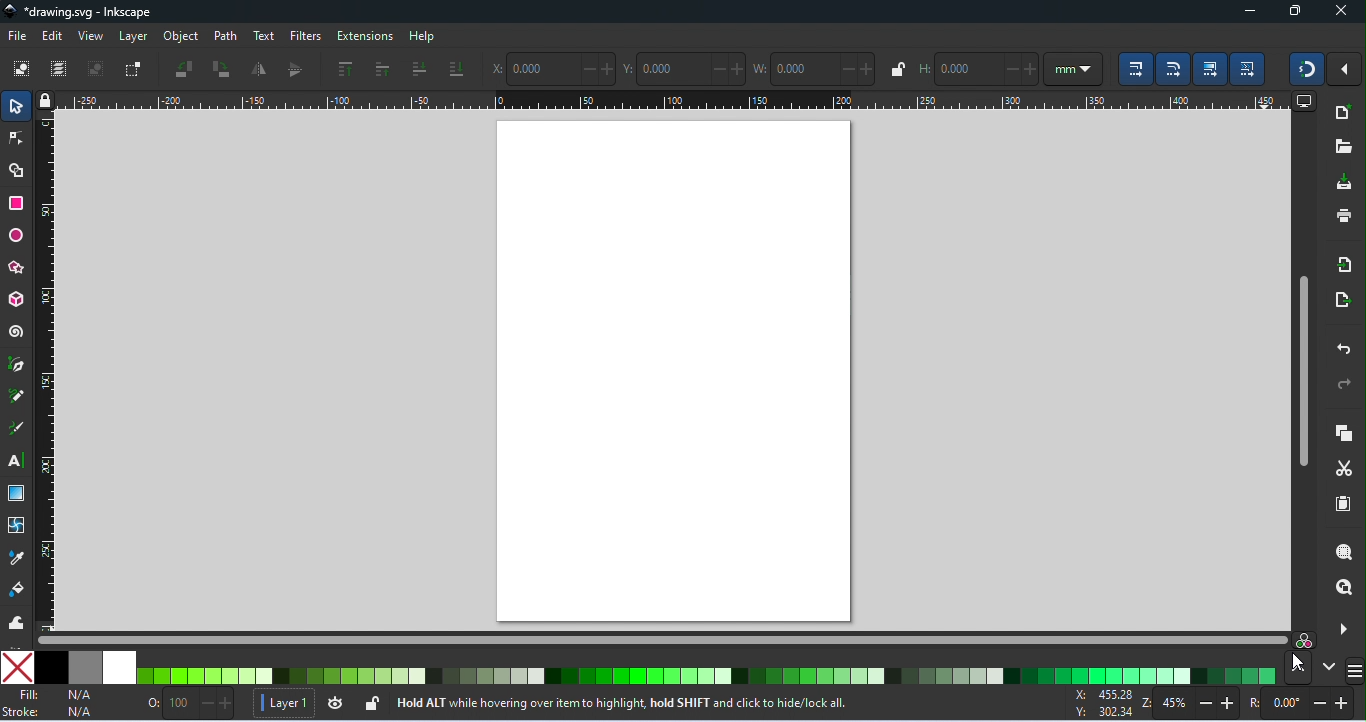  Describe the element at coordinates (95, 69) in the screenshot. I see `deselect` at that location.